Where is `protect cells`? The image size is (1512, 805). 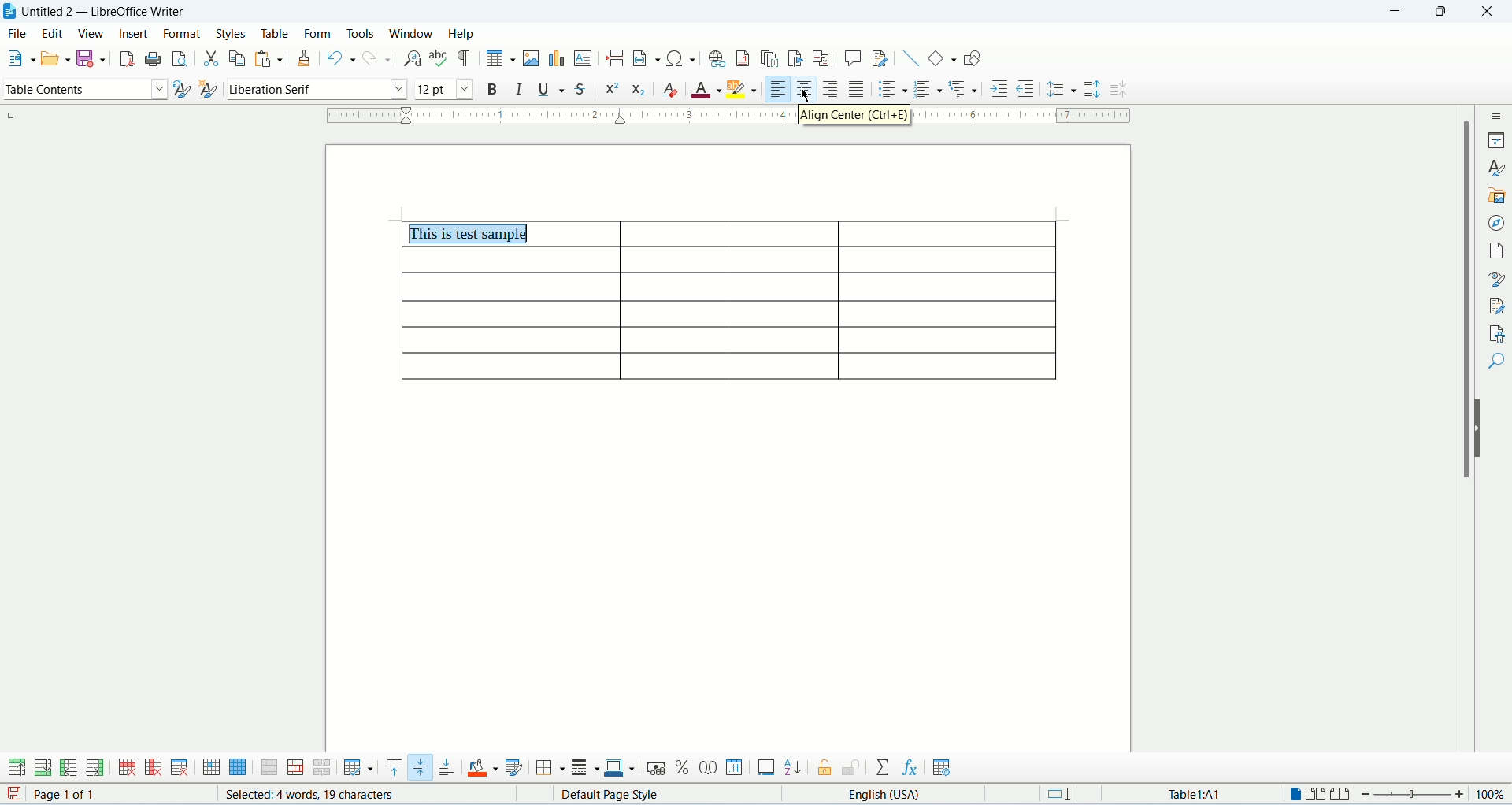
protect cells is located at coordinates (828, 769).